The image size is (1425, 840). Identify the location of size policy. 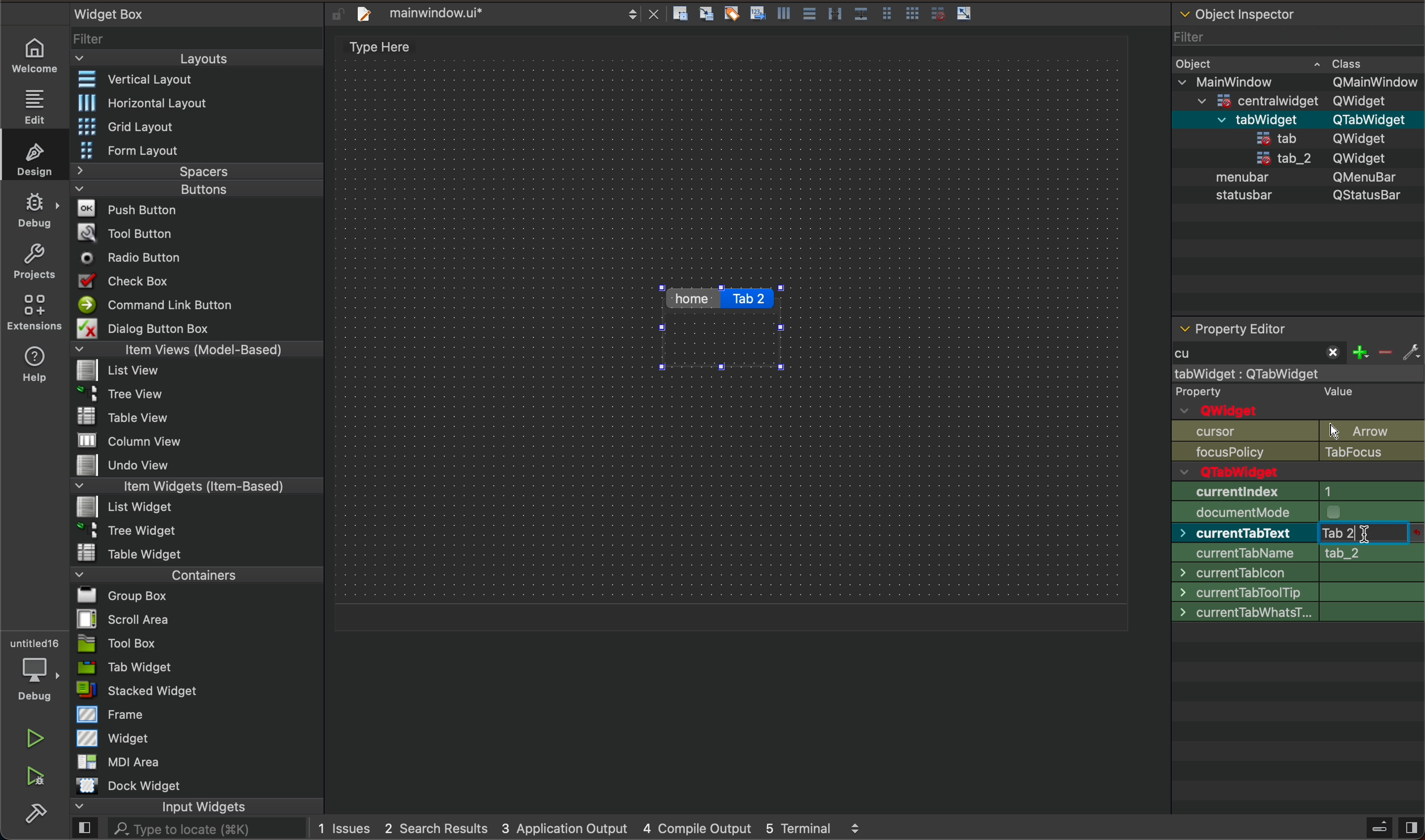
(1299, 511).